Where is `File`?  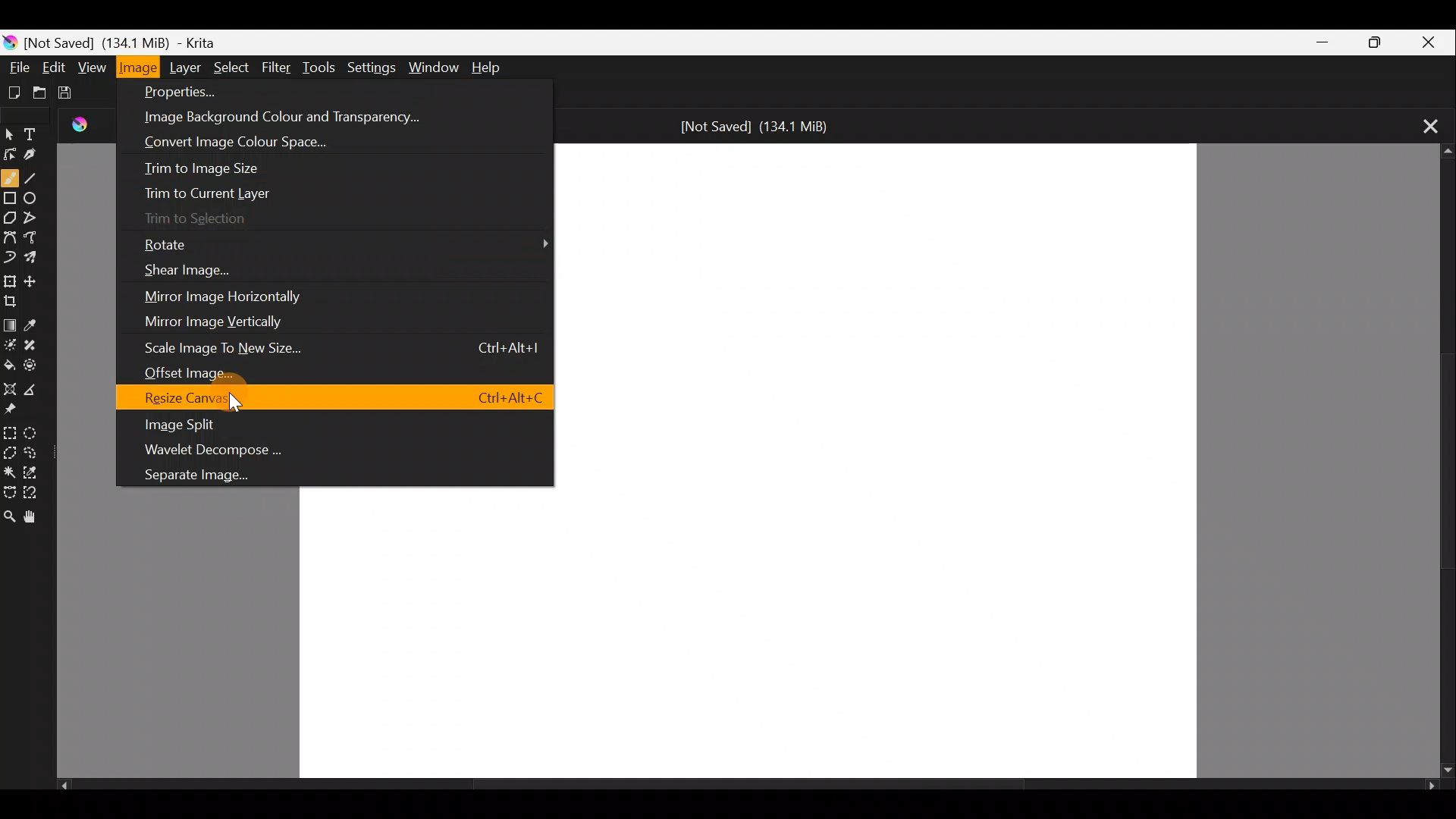 File is located at coordinates (17, 64).